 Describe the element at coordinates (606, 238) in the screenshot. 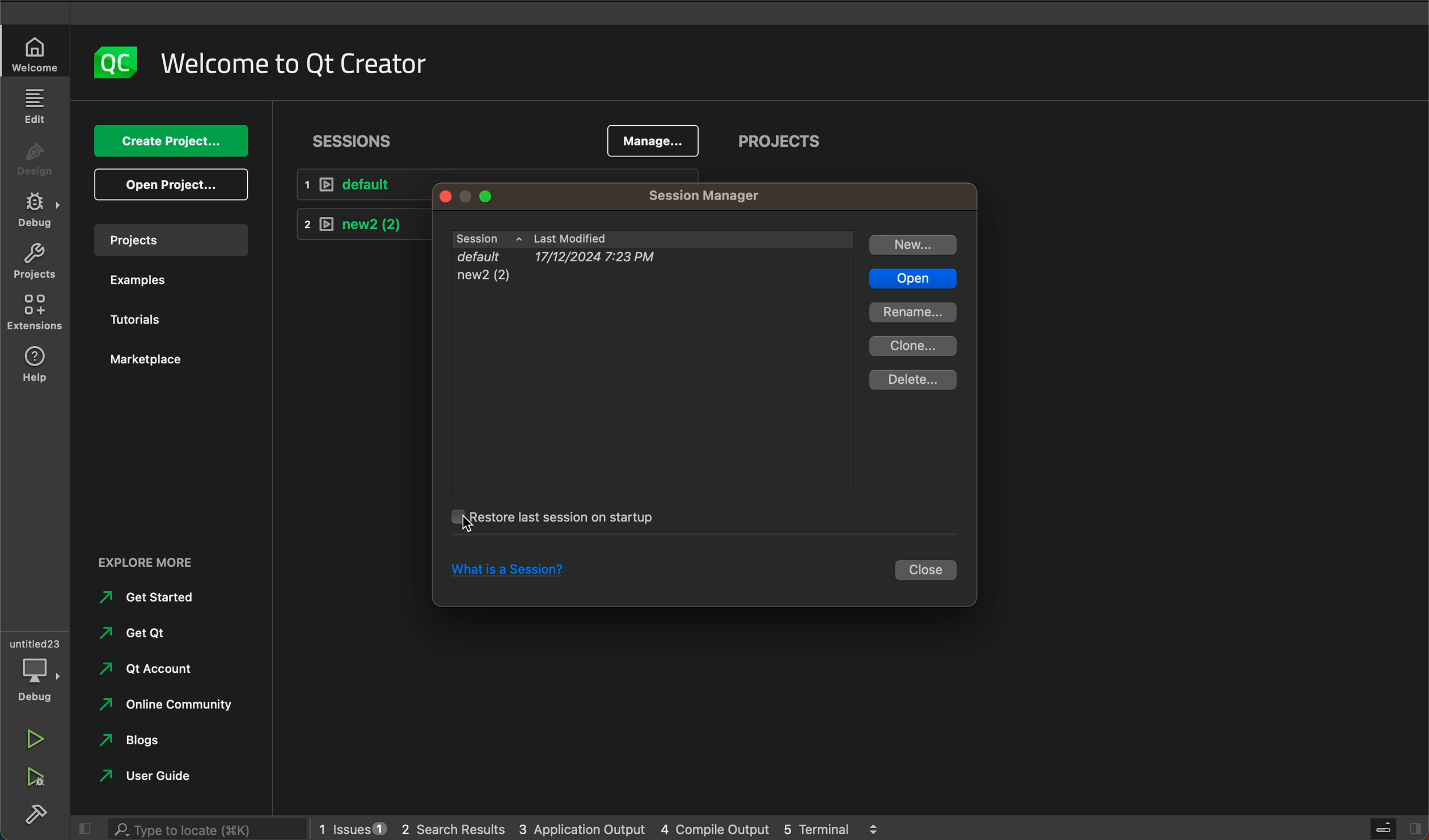

I see `sessions` at that location.